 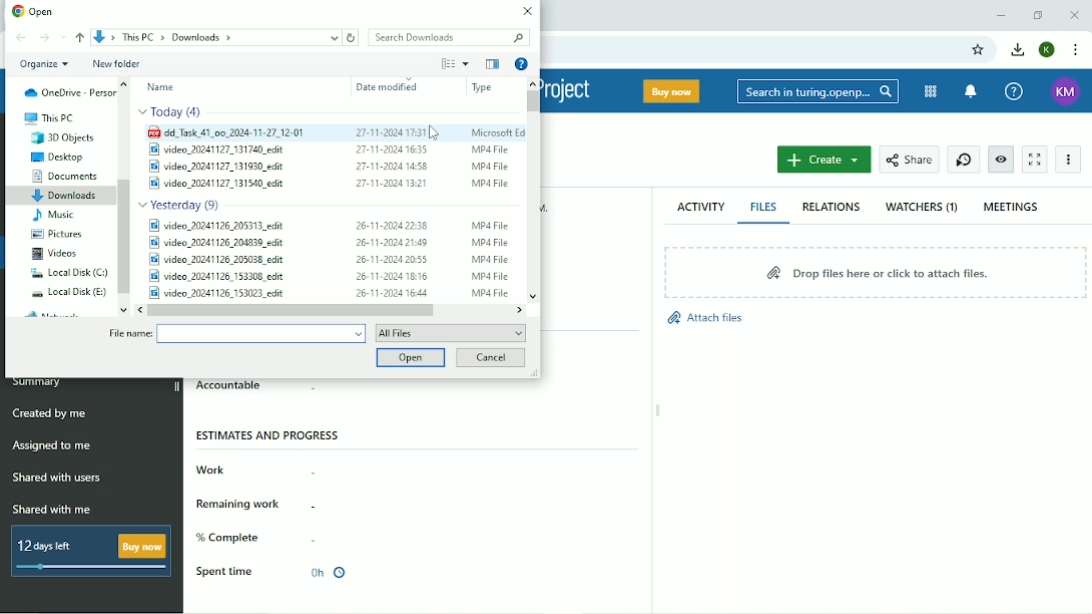 What do you see at coordinates (43, 65) in the screenshot?
I see `Organize` at bounding box center [43, 65].